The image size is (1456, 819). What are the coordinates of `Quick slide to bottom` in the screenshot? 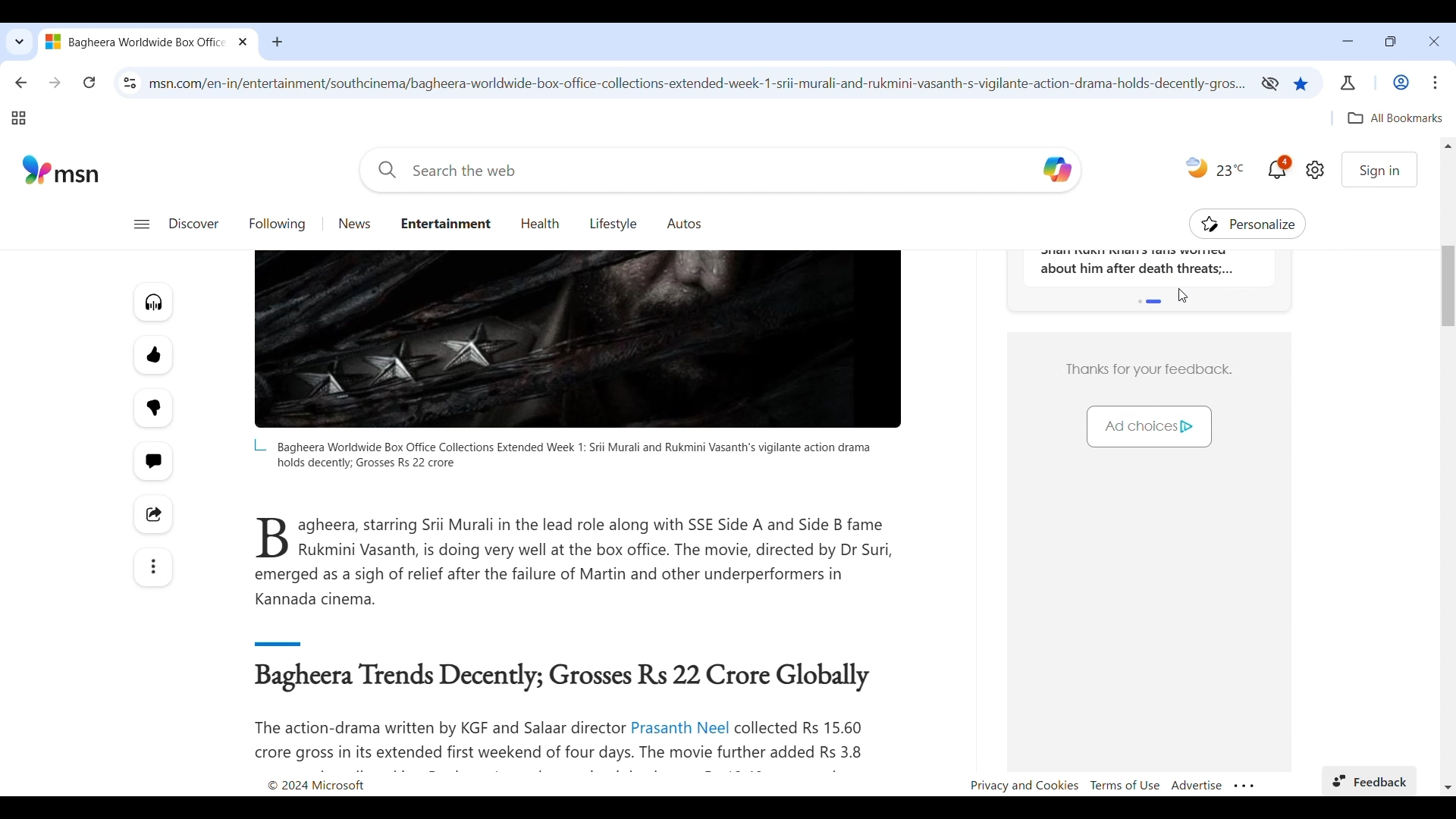 It's located at (1448, 787).